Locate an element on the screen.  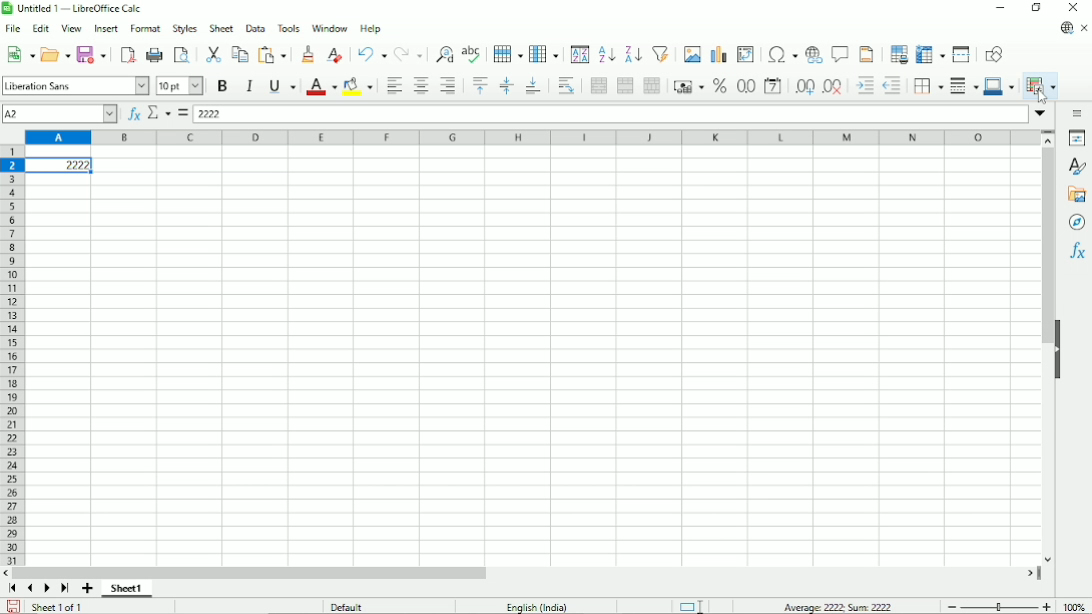
Format as date is located at coordinates (774, 86).